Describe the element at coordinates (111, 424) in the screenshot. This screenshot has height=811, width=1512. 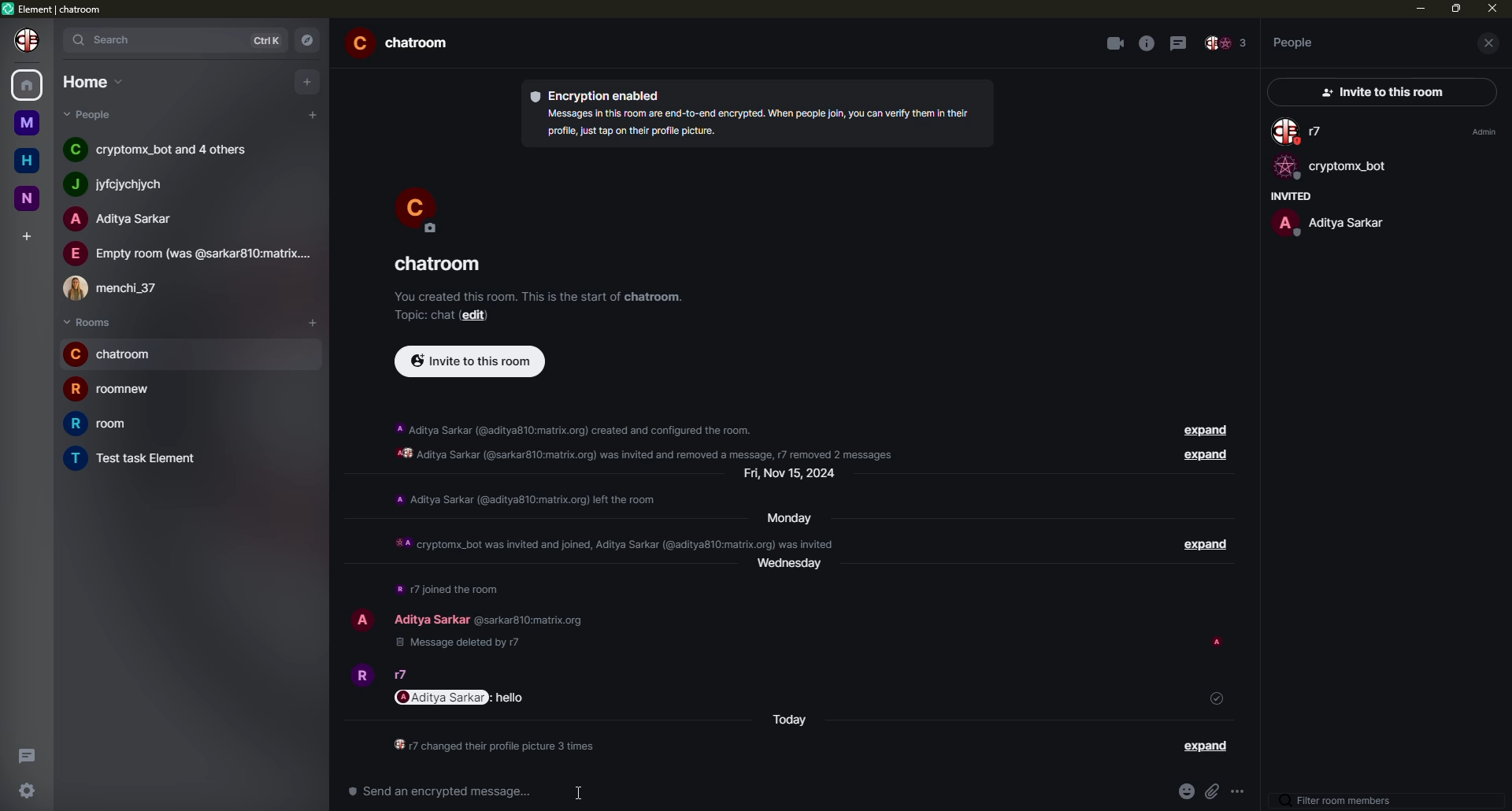
I see `room` at that location.